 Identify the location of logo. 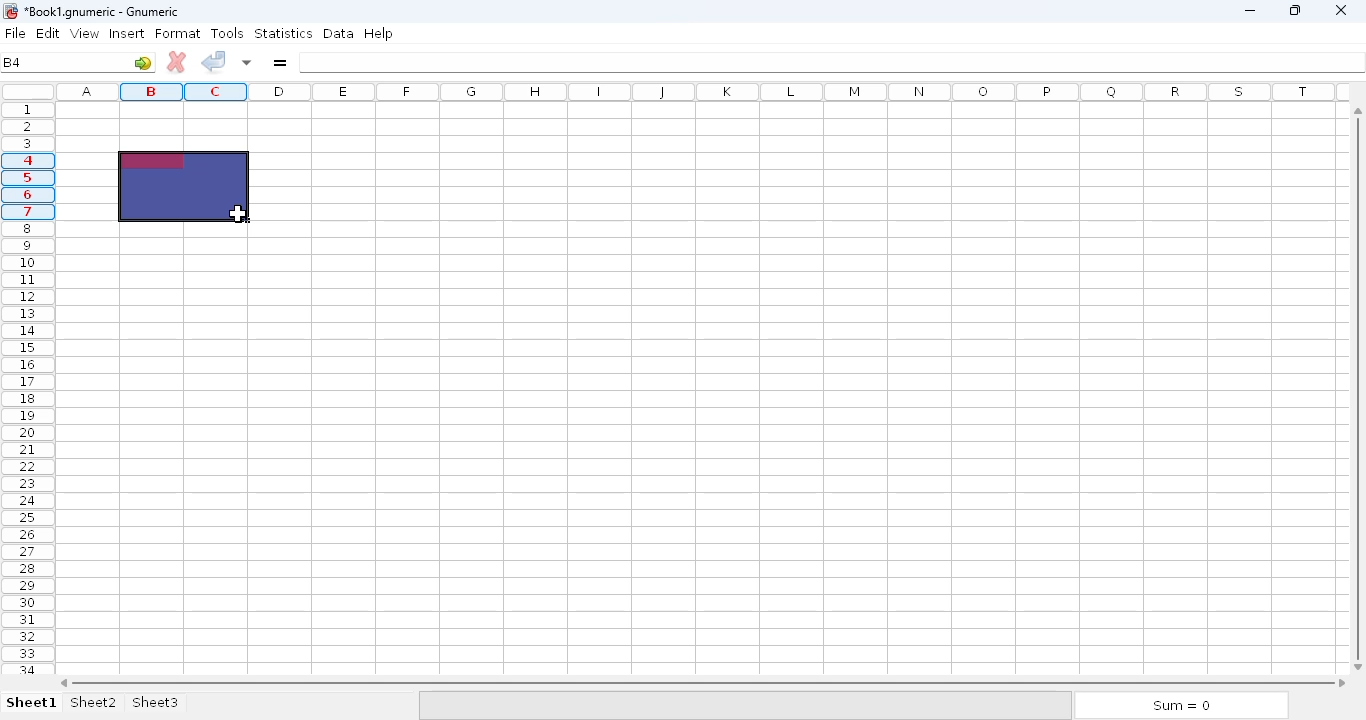
(10, 12).